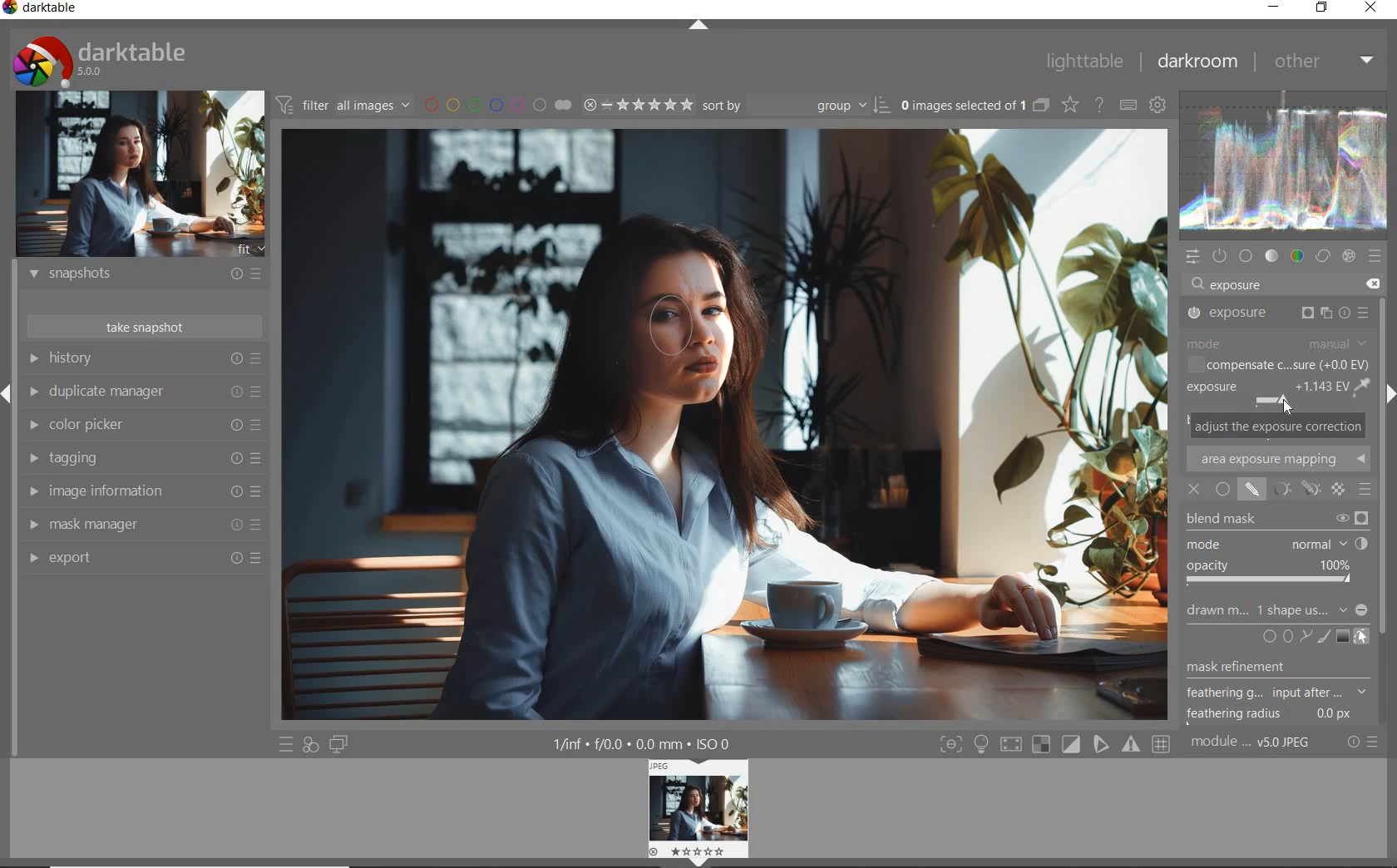 The height and width of the screenshot is (868, 1397). I want to click on toggle modes, so click(1055, 744).